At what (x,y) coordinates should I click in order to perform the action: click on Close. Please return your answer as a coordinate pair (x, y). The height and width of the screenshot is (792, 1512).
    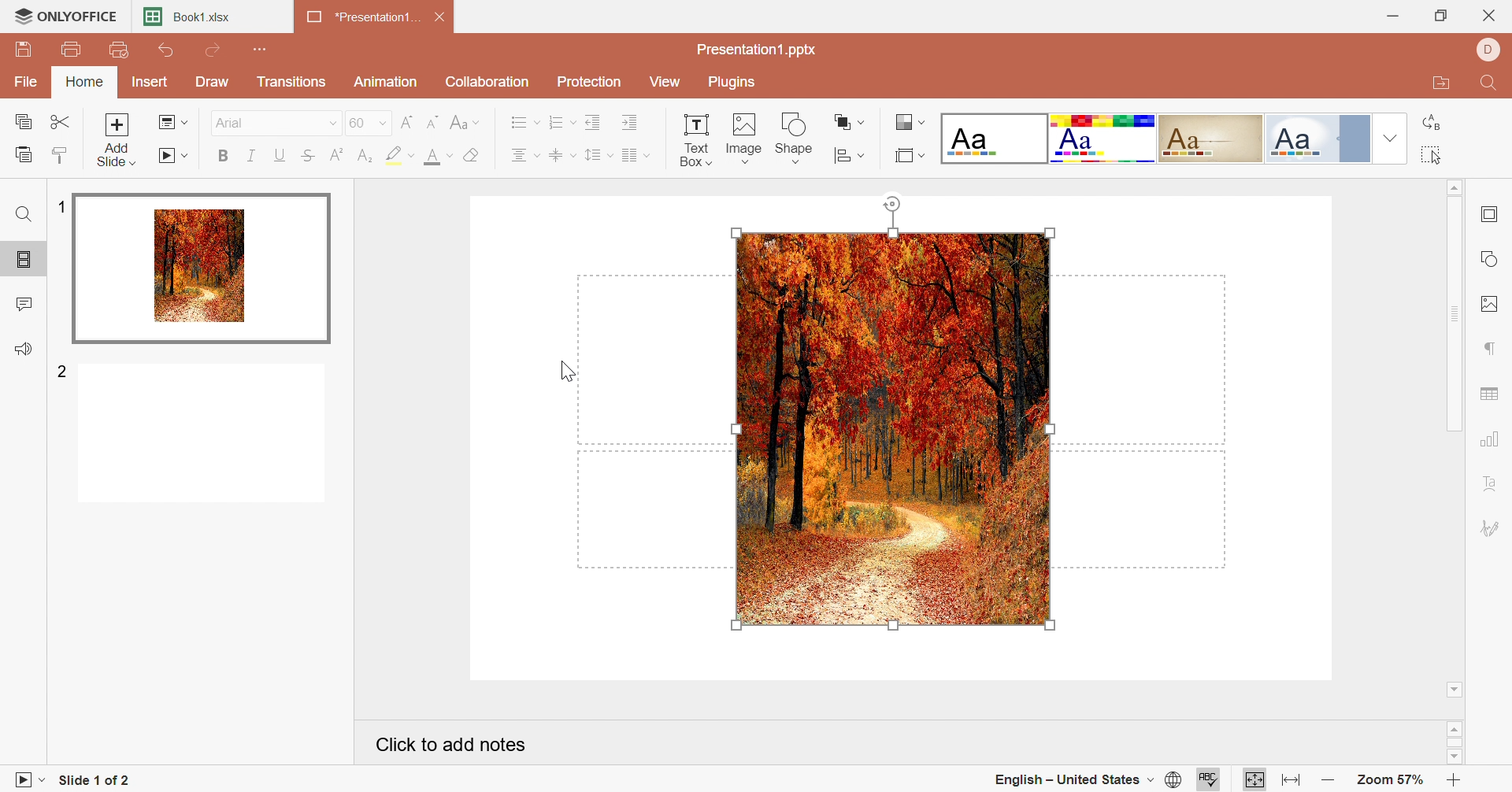
    Looking at the image, I should click on (1492, 14).